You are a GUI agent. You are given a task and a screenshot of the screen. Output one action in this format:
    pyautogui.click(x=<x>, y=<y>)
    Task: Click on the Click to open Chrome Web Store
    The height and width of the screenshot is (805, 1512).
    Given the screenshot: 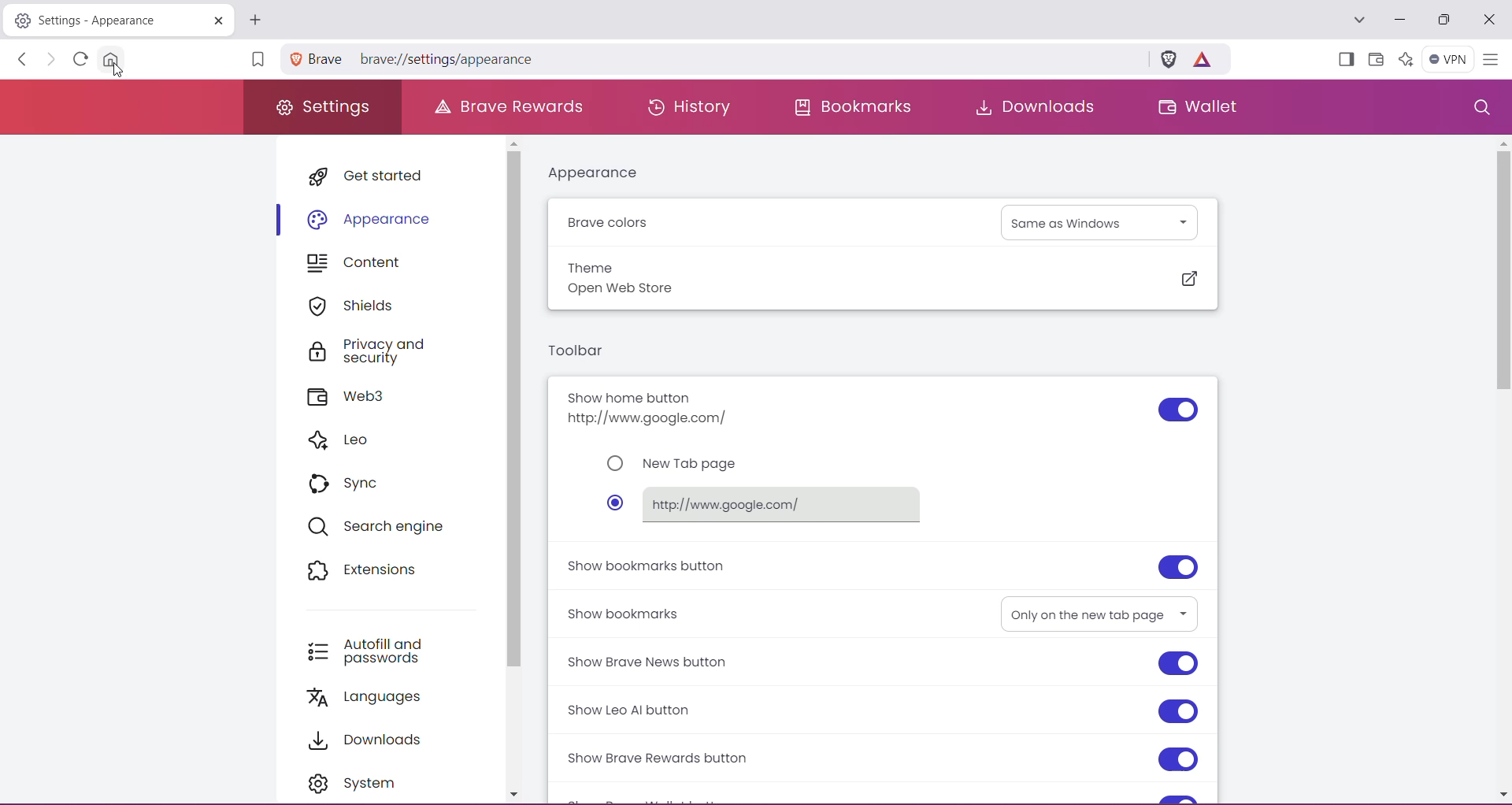 What is the action you would take?
    pyautogui.click(x=1188, y=280)
    